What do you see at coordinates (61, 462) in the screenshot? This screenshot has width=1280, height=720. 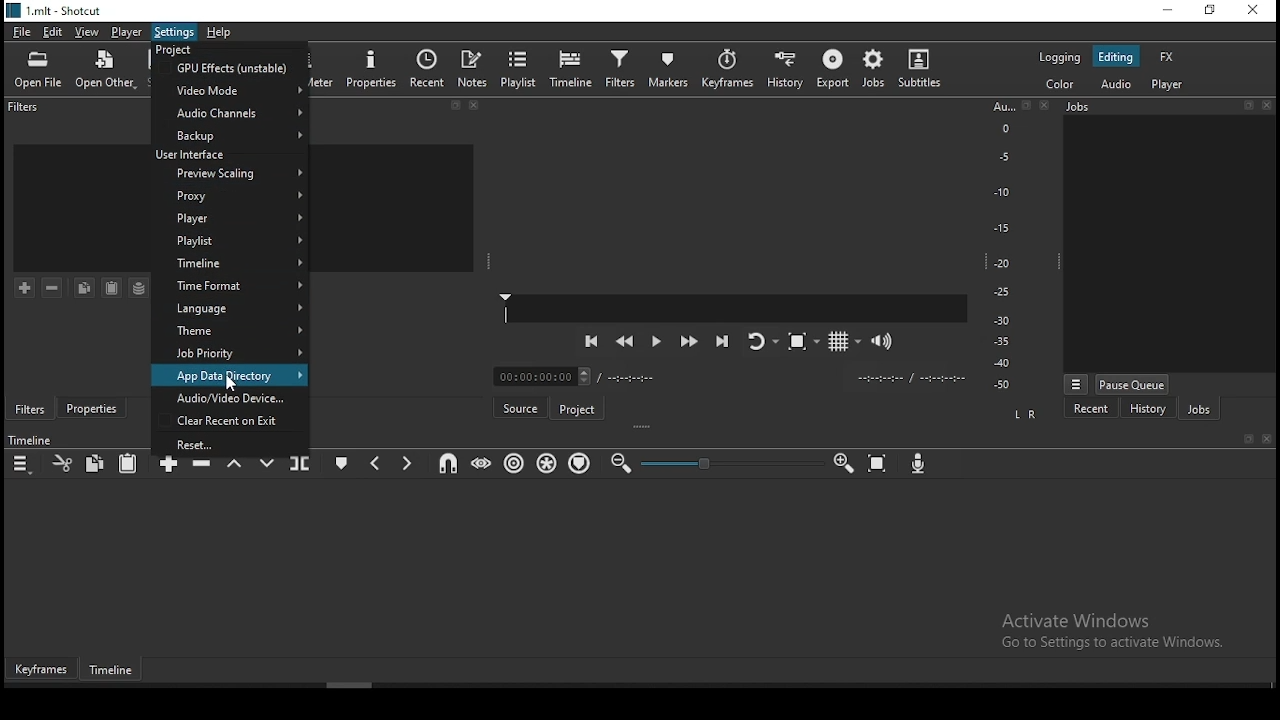 I see `cut` at bounding box center [61, 462].